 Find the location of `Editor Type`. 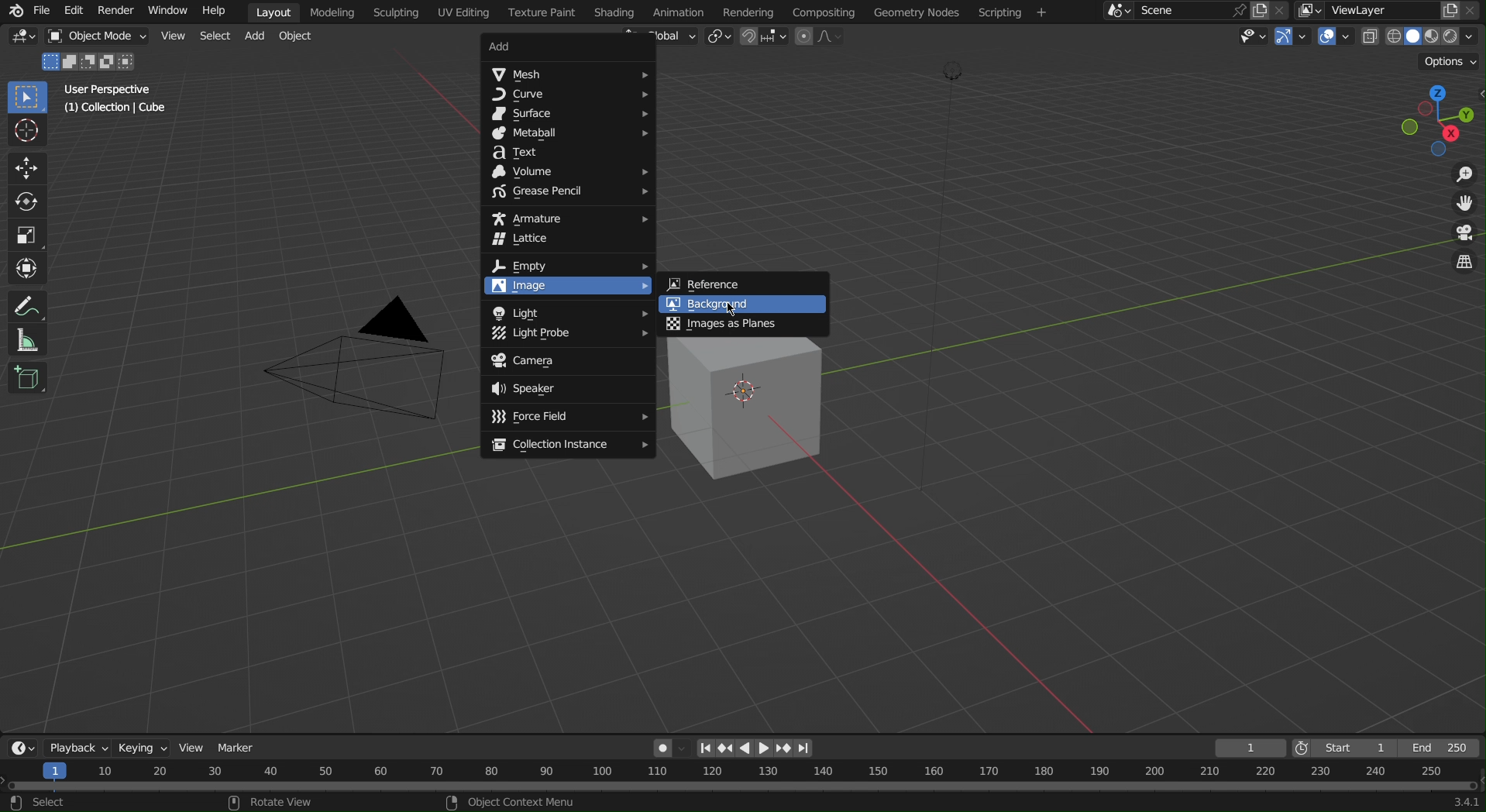

Editor Type is located at coordinates (24, 39).